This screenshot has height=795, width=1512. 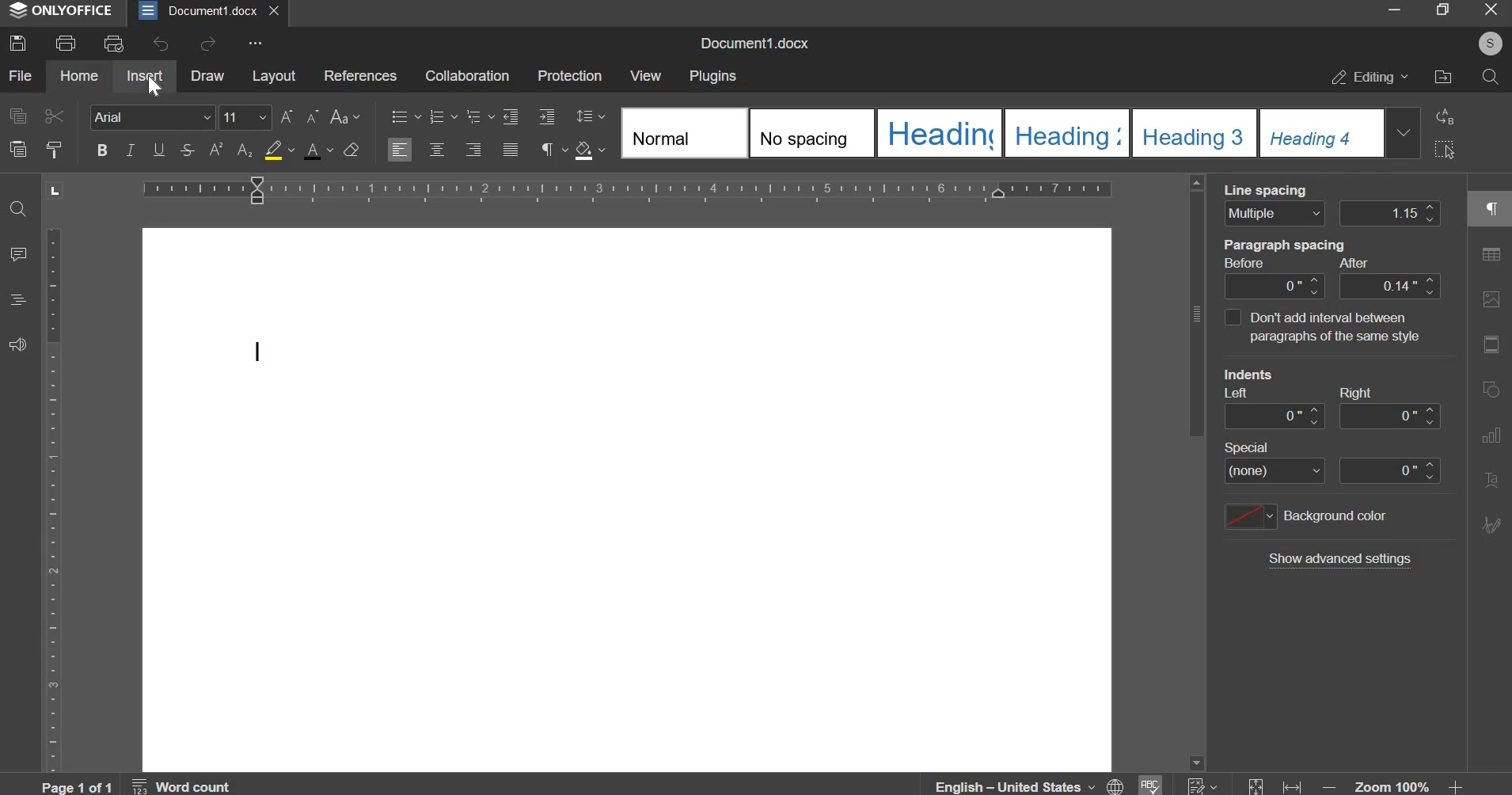 What do you see at coordinates (253, 43) in the screenshot?
I see `more` at bounding box center [253, 43].